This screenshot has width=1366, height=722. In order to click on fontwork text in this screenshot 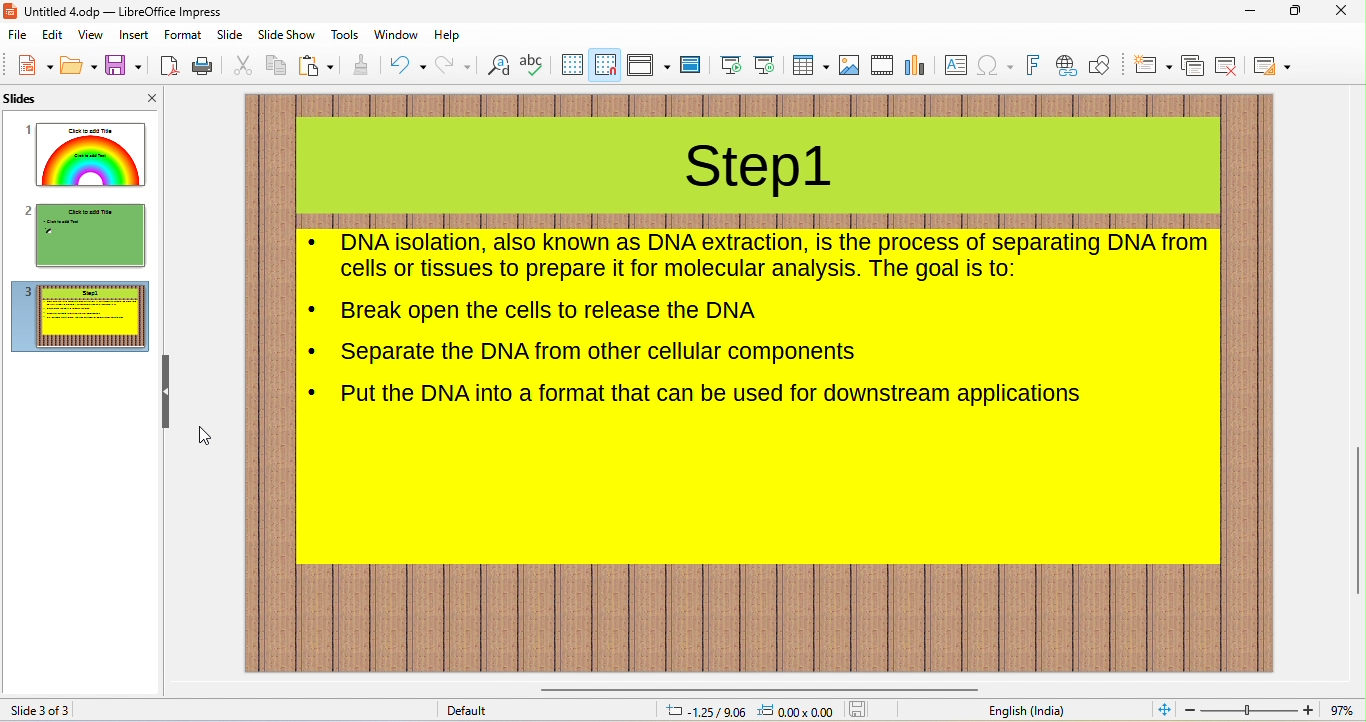, I will do `click(1033, 66)`.